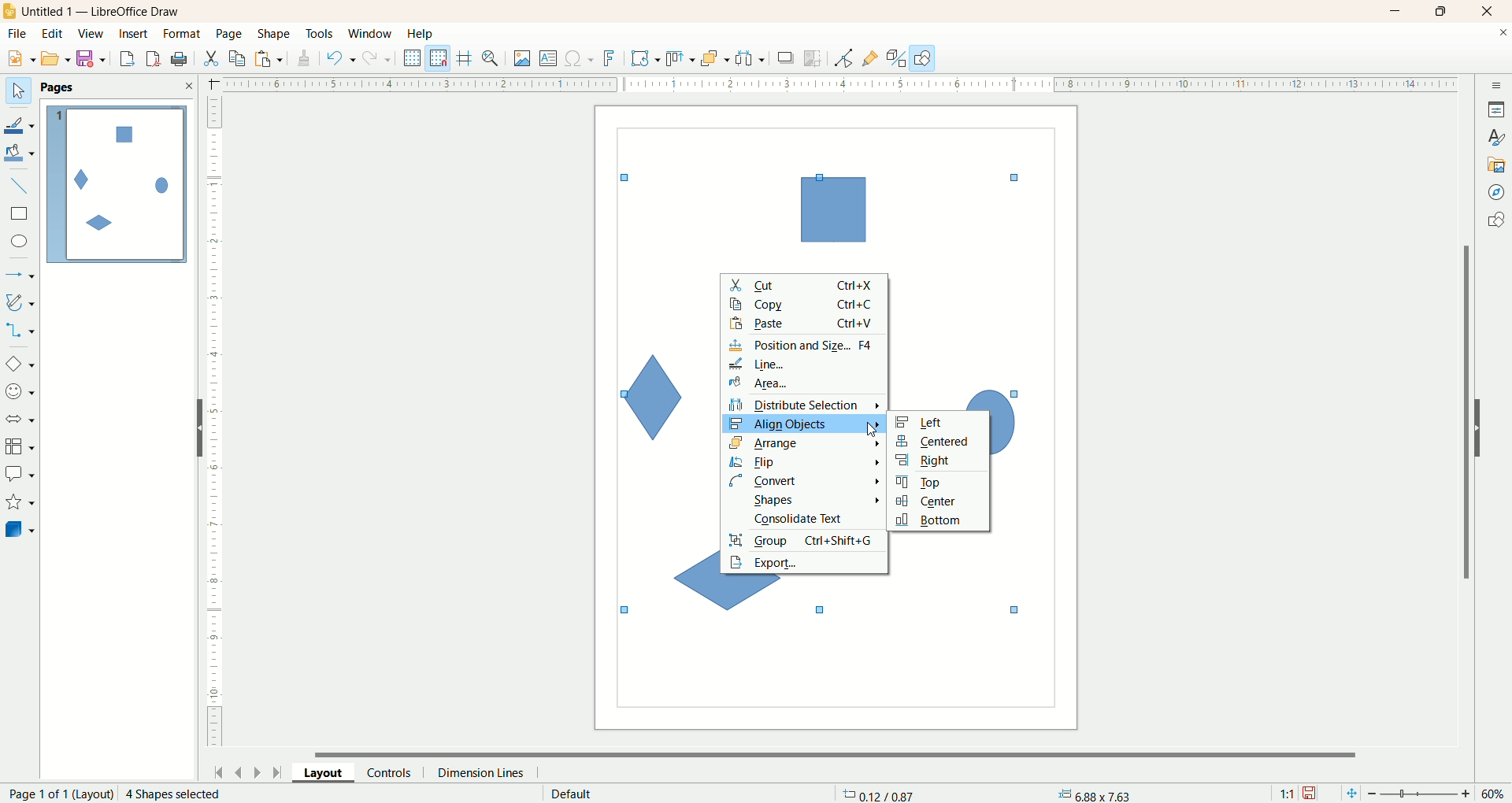 This screenshot has height=803, width=1512. I want to click on rectangle, so click(21, 214).